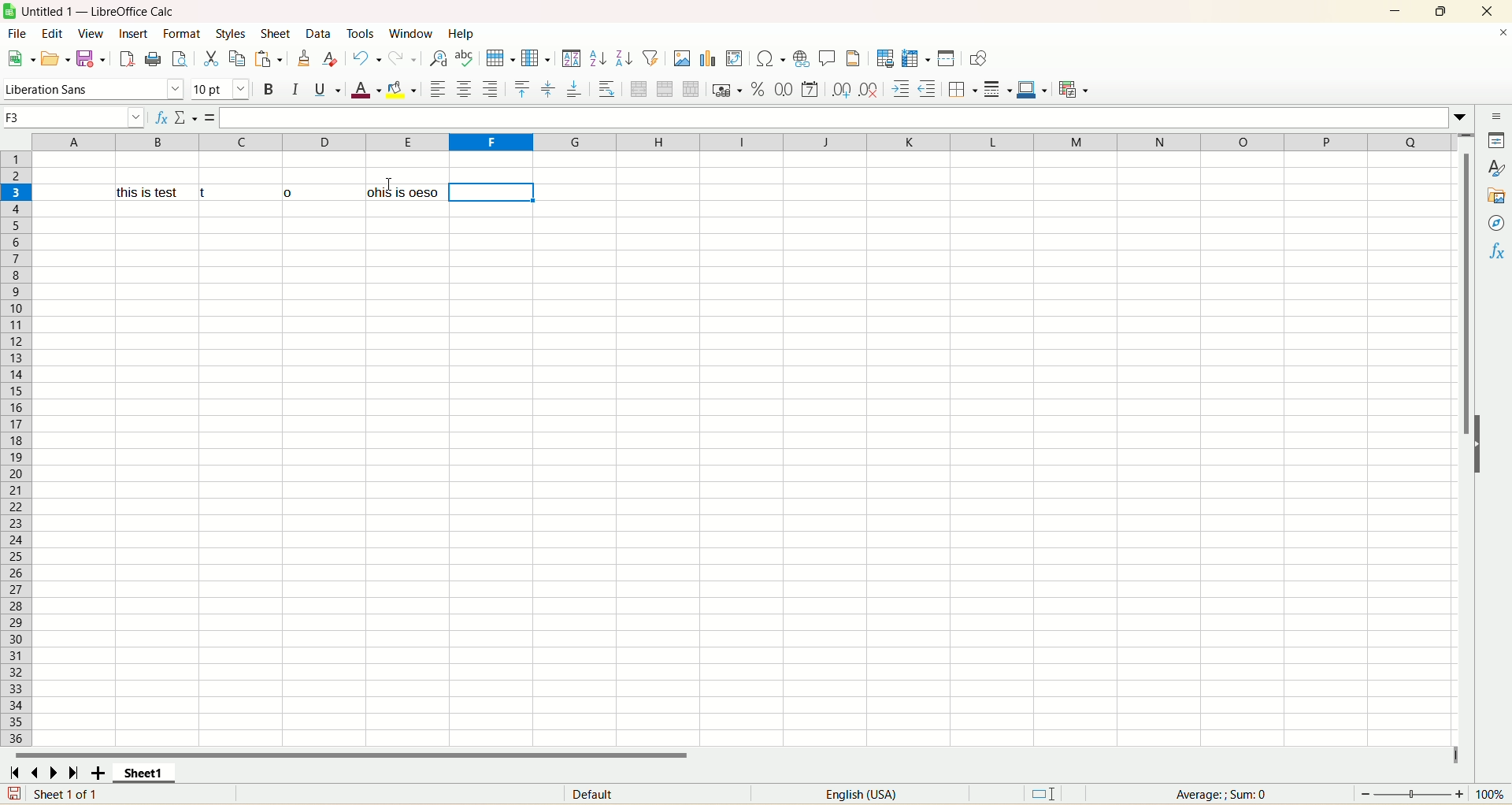 This screenshot has height=805, width=1512. What do you see at coordinates (1477, 443) in the screenshot?
I see `hide` at bounding box center [1477, 443].